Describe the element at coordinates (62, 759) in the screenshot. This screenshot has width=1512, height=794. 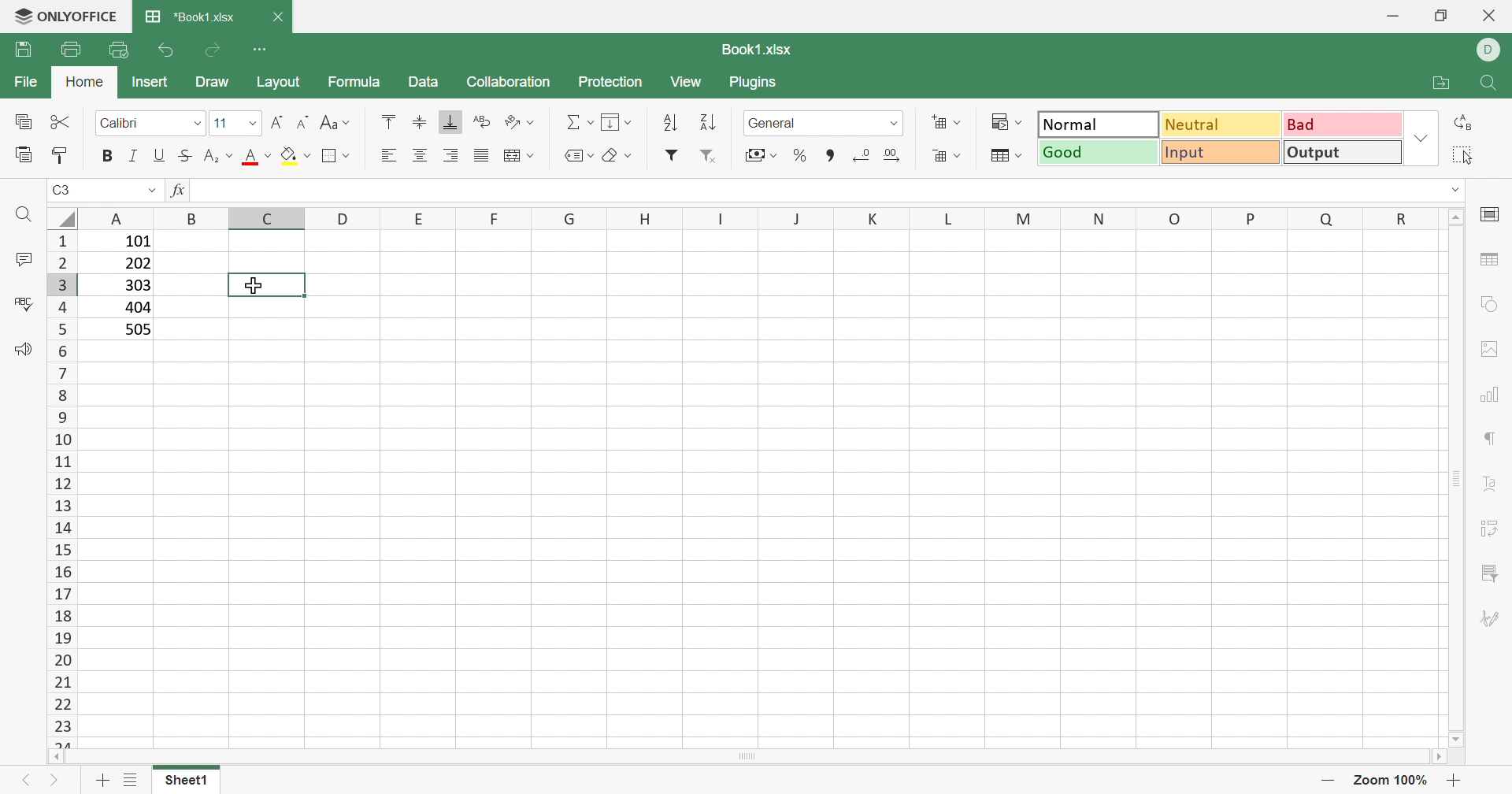
I see `Scroll Left` at that location.